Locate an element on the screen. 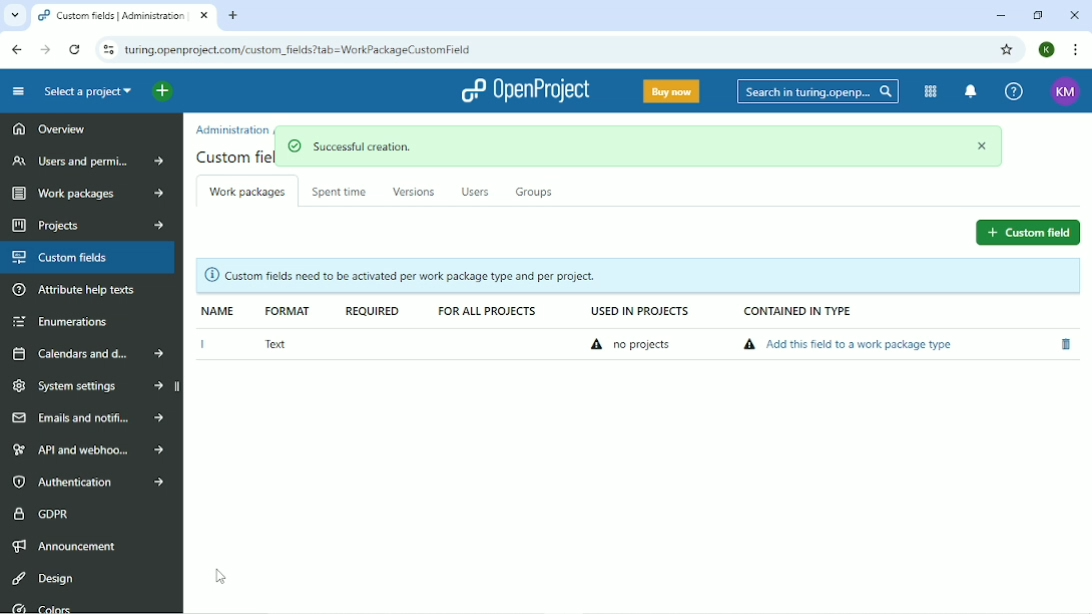  GDPR is located at coordinates (42, 512).